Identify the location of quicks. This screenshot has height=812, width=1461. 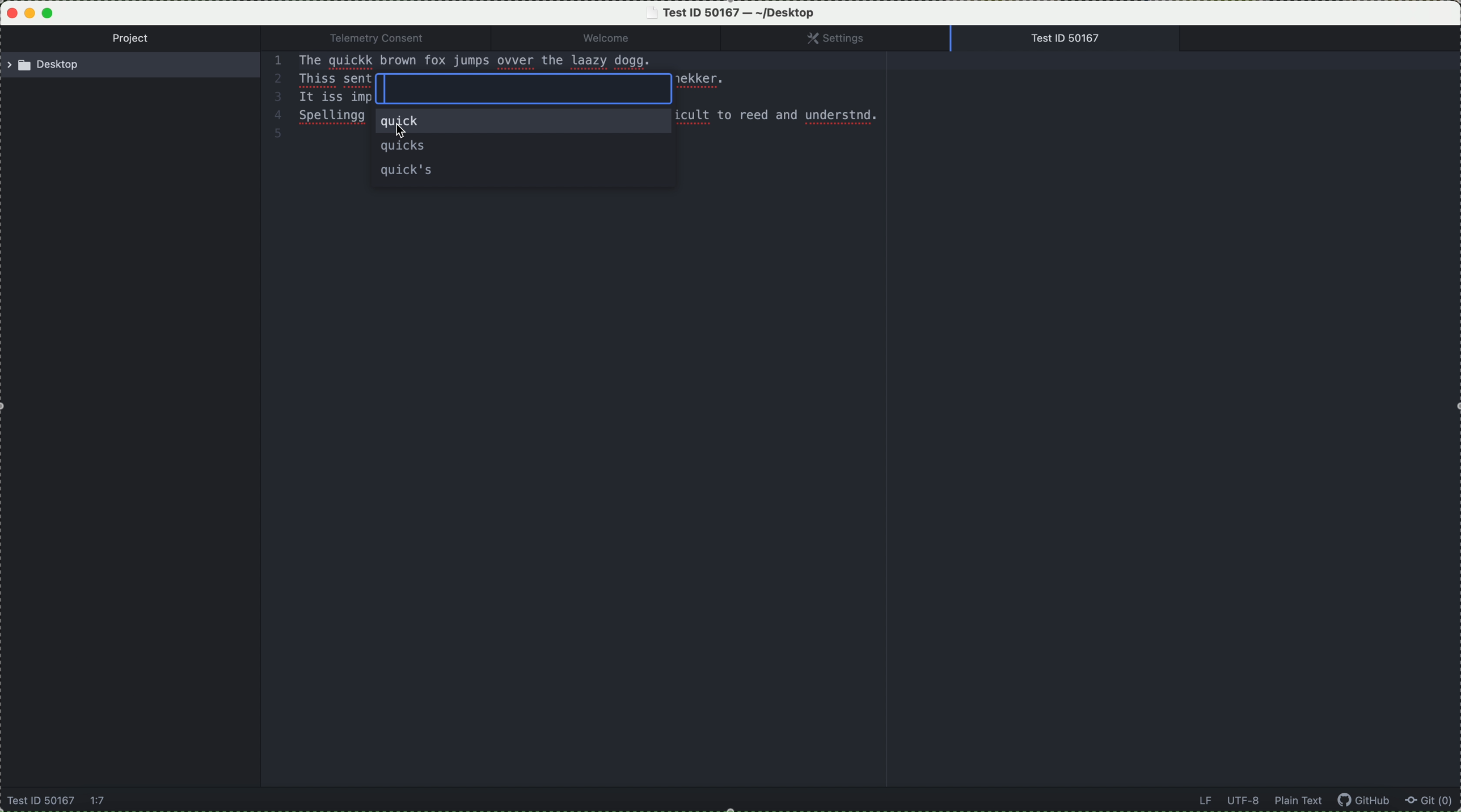
(406, 147).